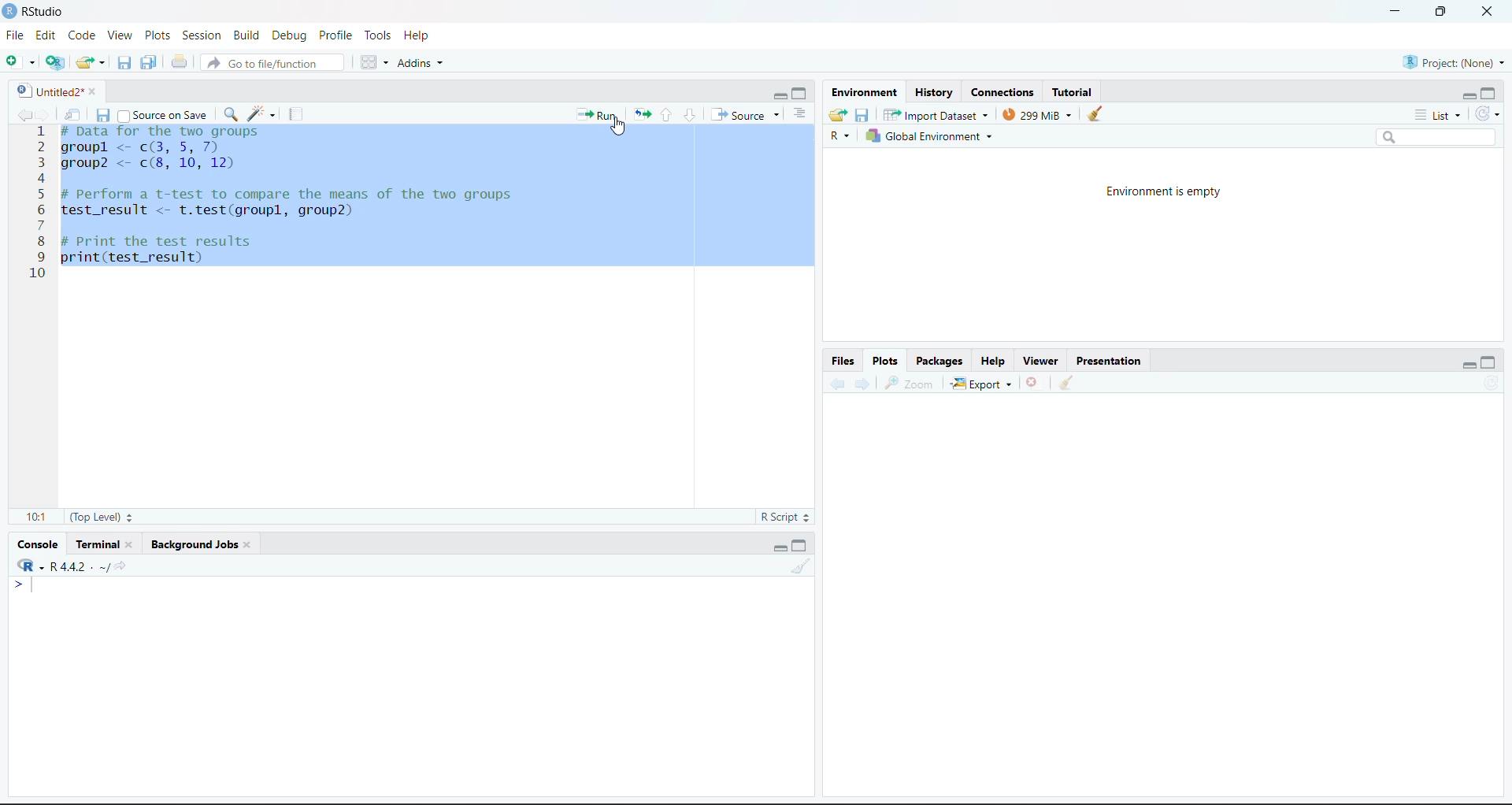 Image resolution: width=1512 pixels, height=805 pixels. What do you see at coordinates (55, 564) in the screenshot?
I see `R 4.4.2` at bounding box center [55, 564].